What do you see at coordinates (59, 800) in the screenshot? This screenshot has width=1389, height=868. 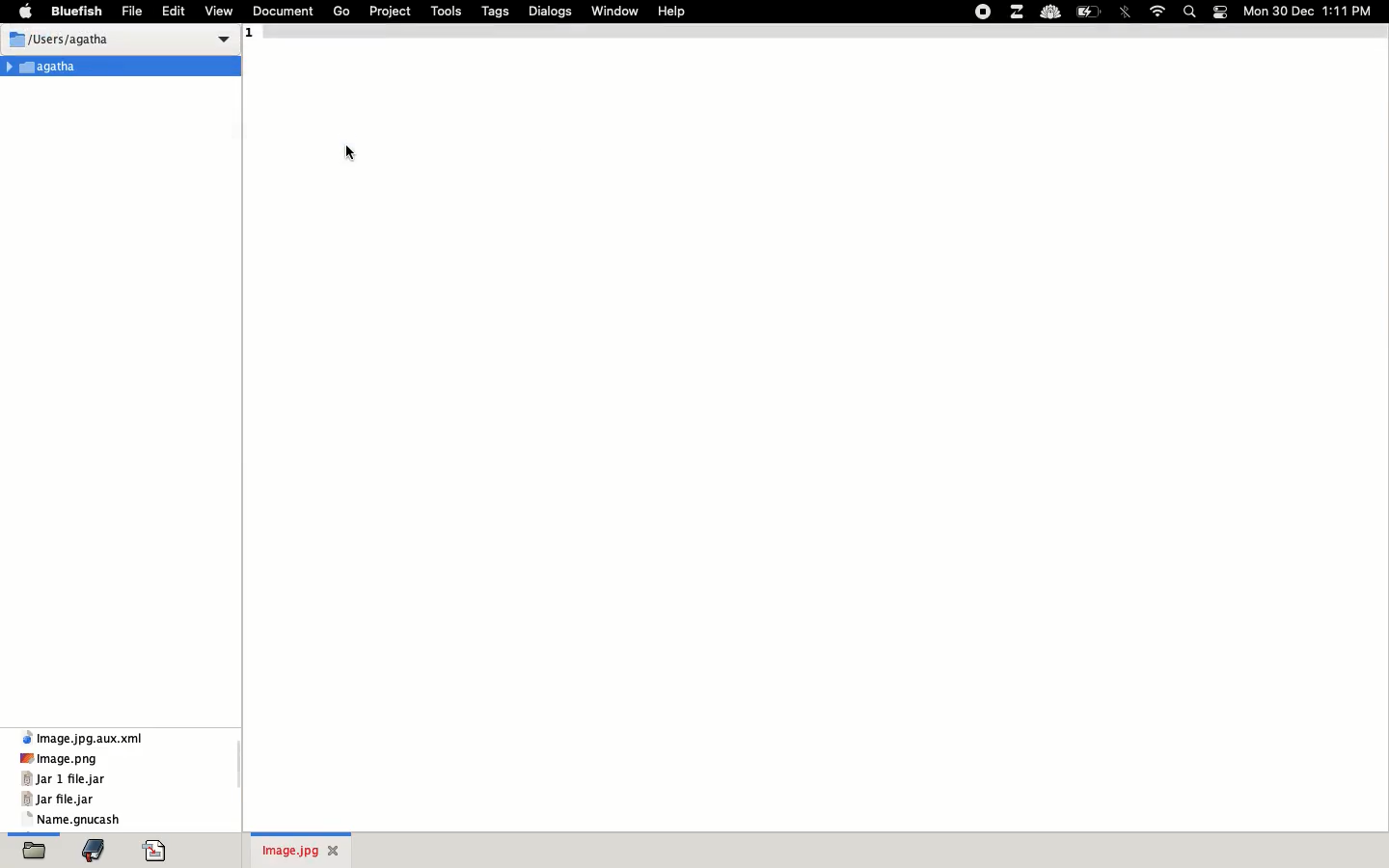 I see `jar file.jar` at bounding box center [59, 800].